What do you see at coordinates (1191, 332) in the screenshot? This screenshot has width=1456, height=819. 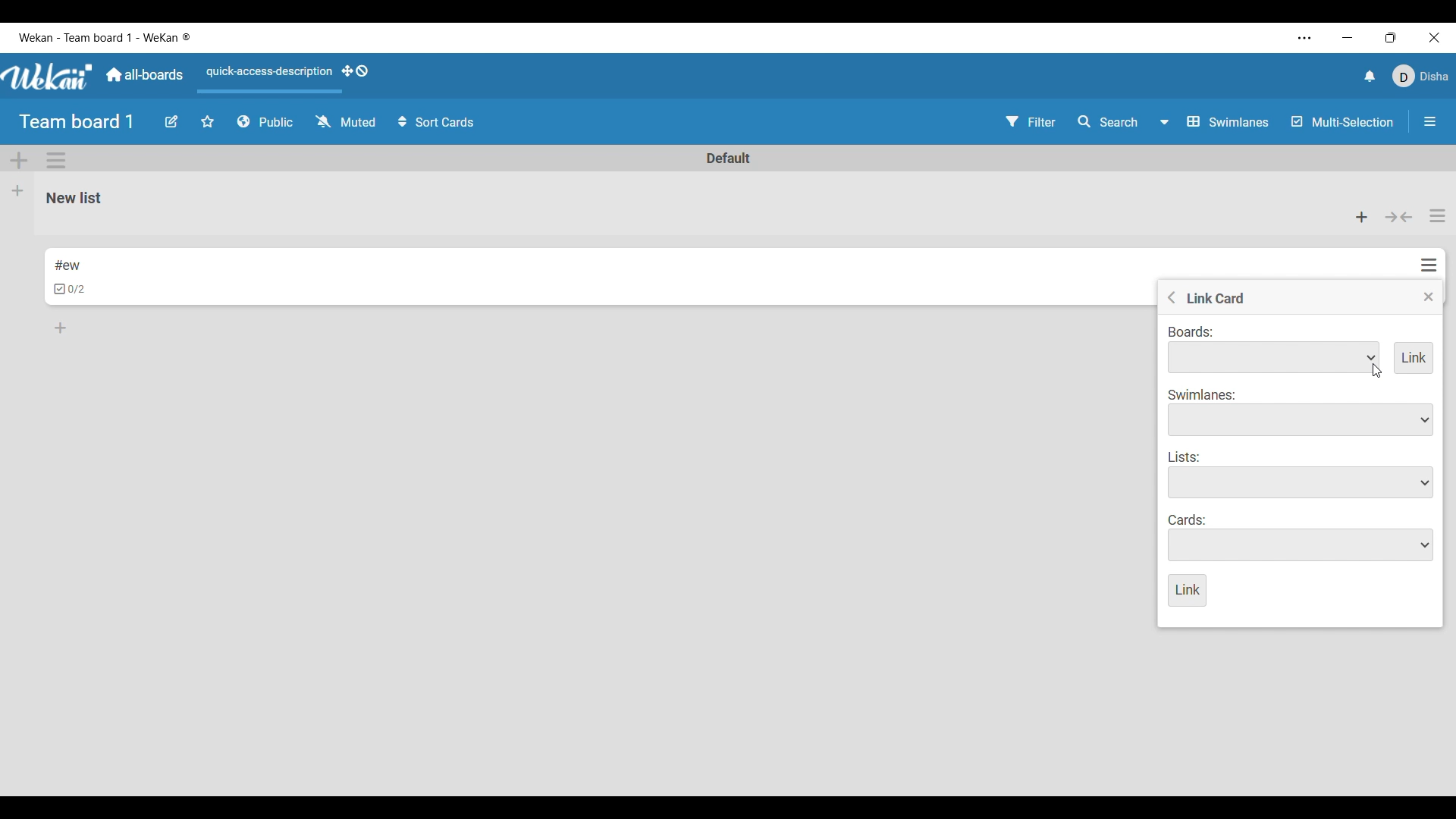 I see `Indicates link to board options` at bounding box center [1191, 332].